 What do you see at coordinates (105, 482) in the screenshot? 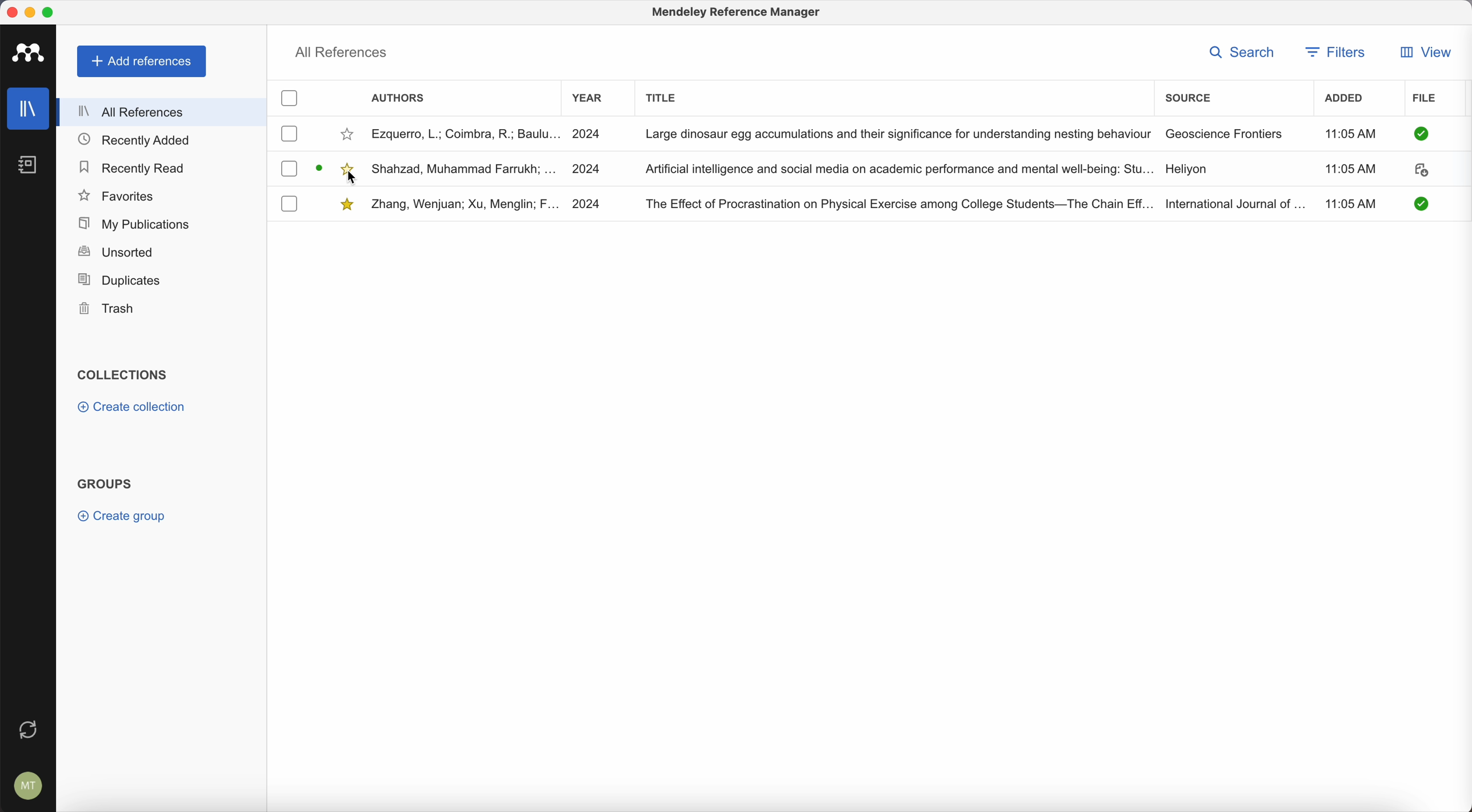
I see `groups` at bounding box center [105, 482].